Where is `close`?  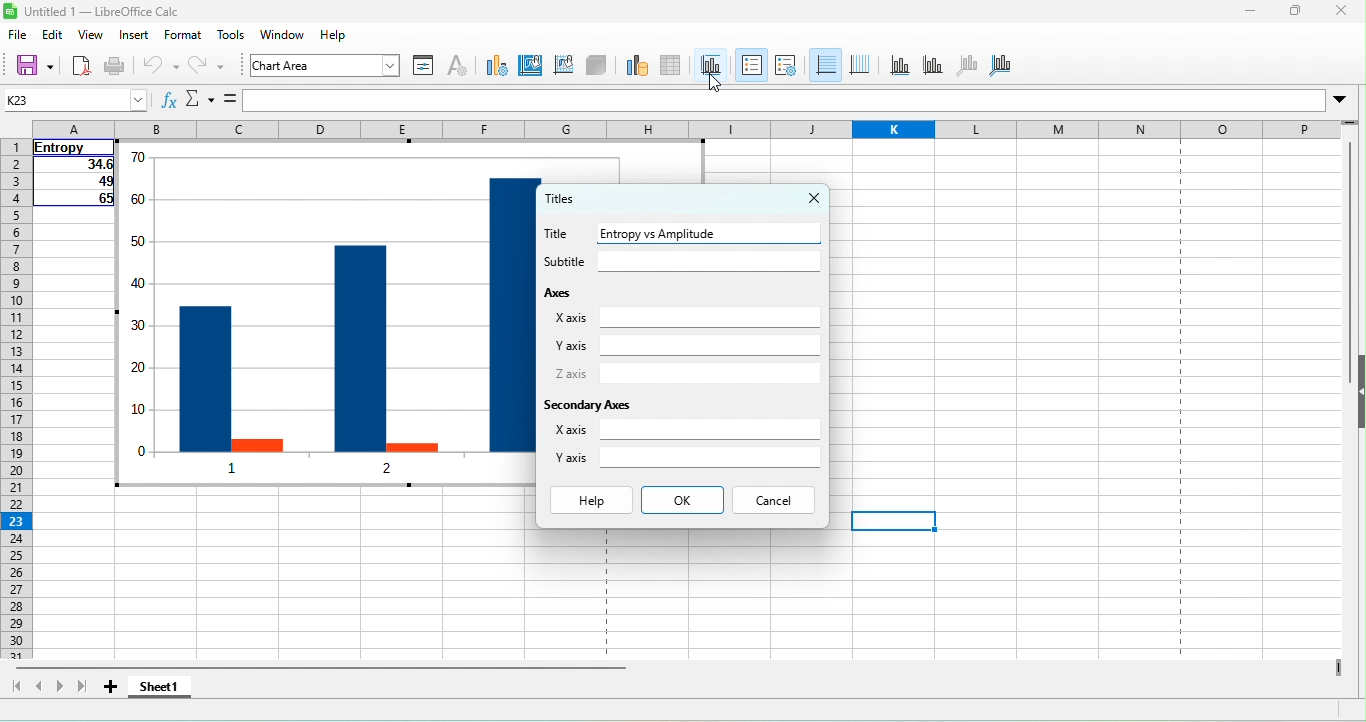 close is located at coordinates (804, 199).